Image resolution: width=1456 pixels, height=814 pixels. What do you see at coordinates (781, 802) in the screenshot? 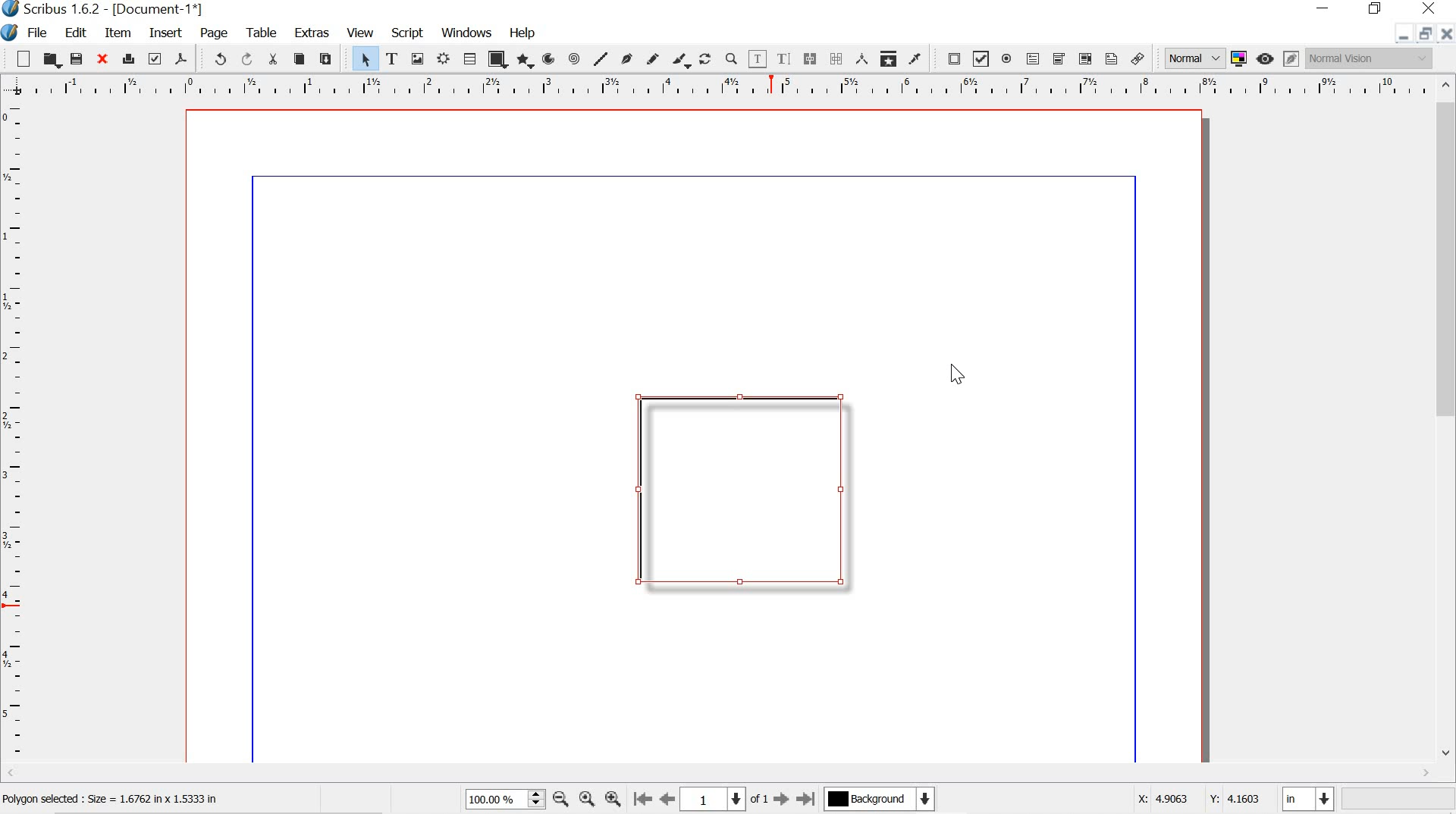
I see `go to next page` at bounding box center [781, 802].